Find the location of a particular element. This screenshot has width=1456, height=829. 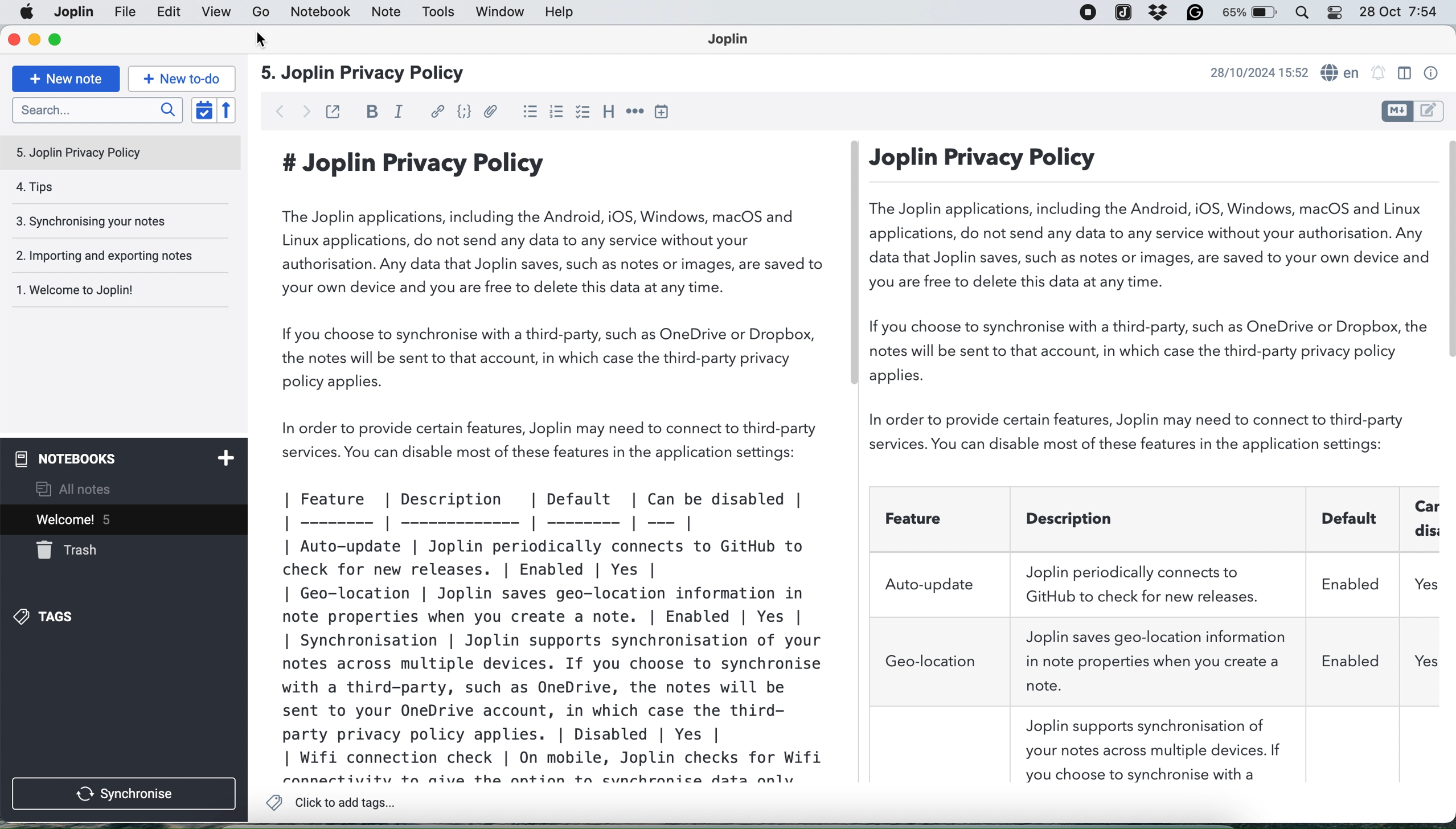

help is located at coordinates (561, 13).